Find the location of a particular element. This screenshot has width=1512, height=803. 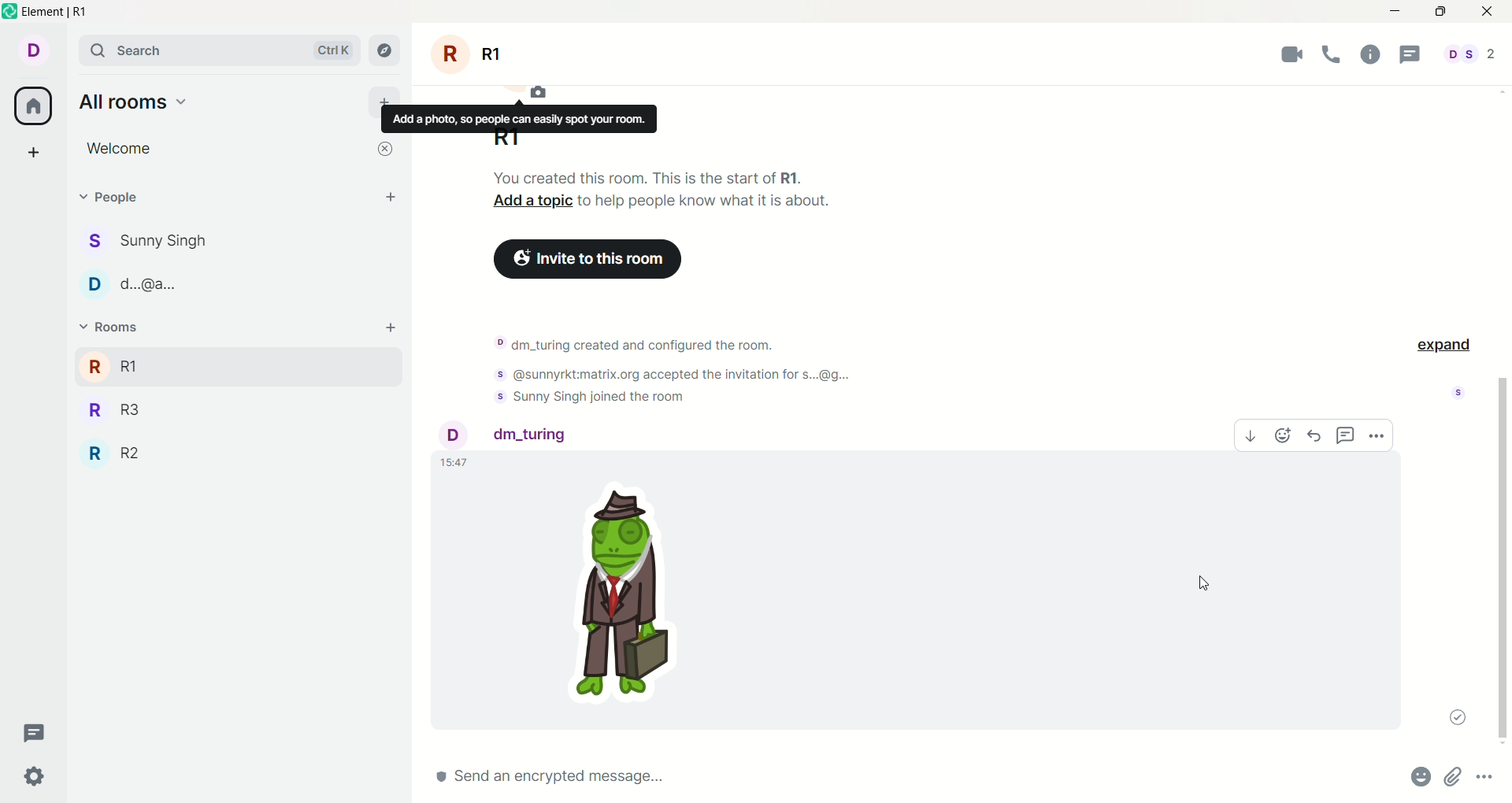

All people involved is located at coordinates (1470, 54).